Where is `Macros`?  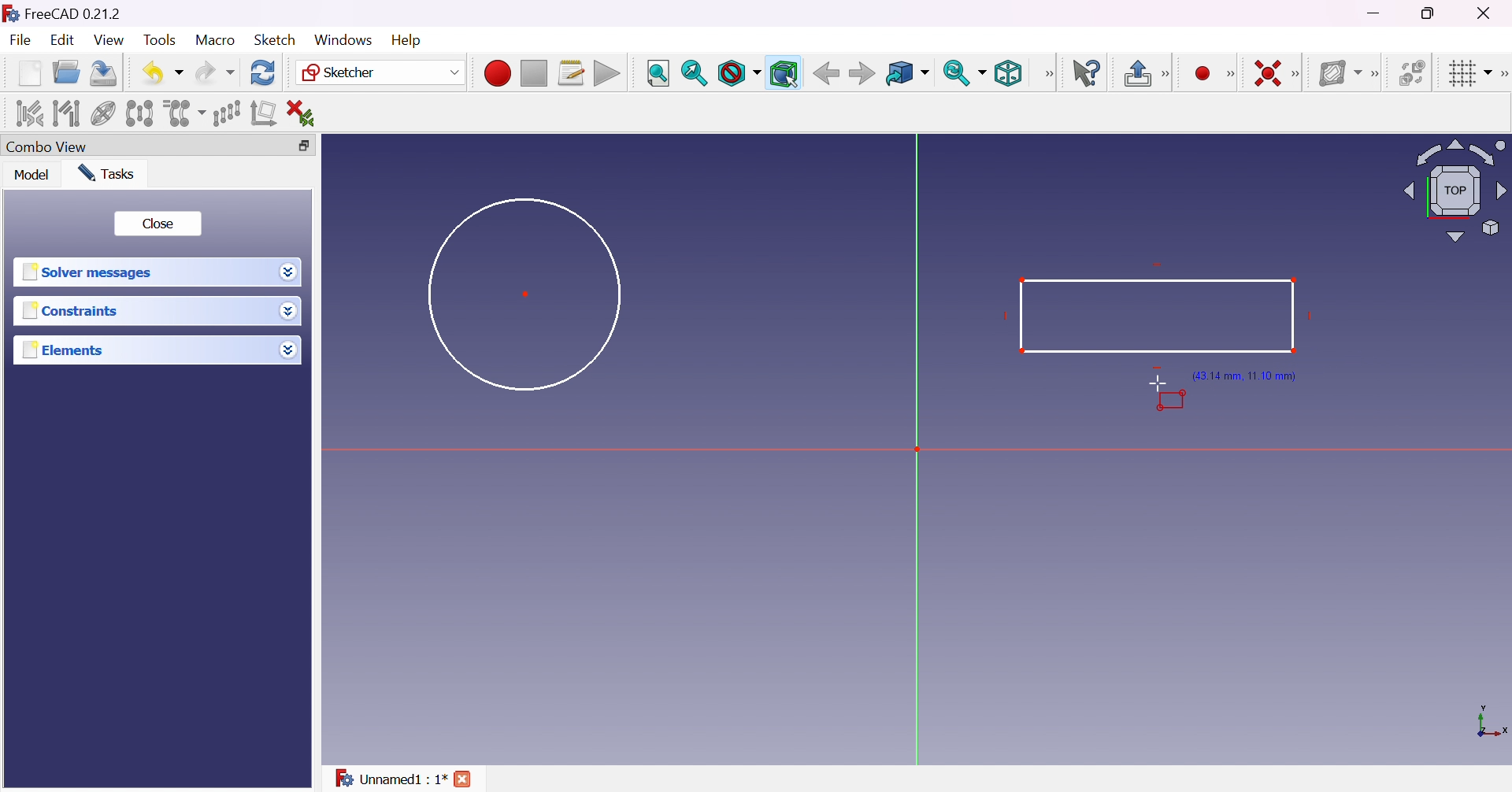
Macros is located at coordinates (572, 73).